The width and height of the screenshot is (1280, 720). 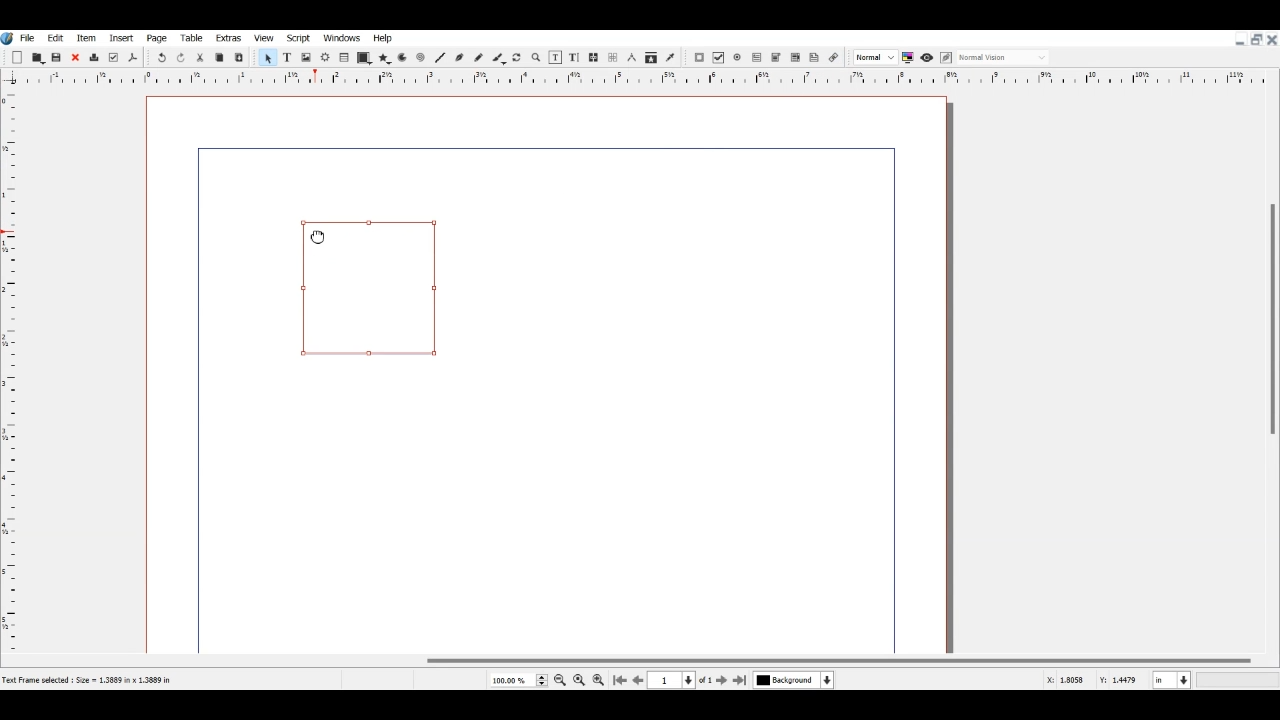 I want to click on Text Annotation , so click(x=815, y=57).